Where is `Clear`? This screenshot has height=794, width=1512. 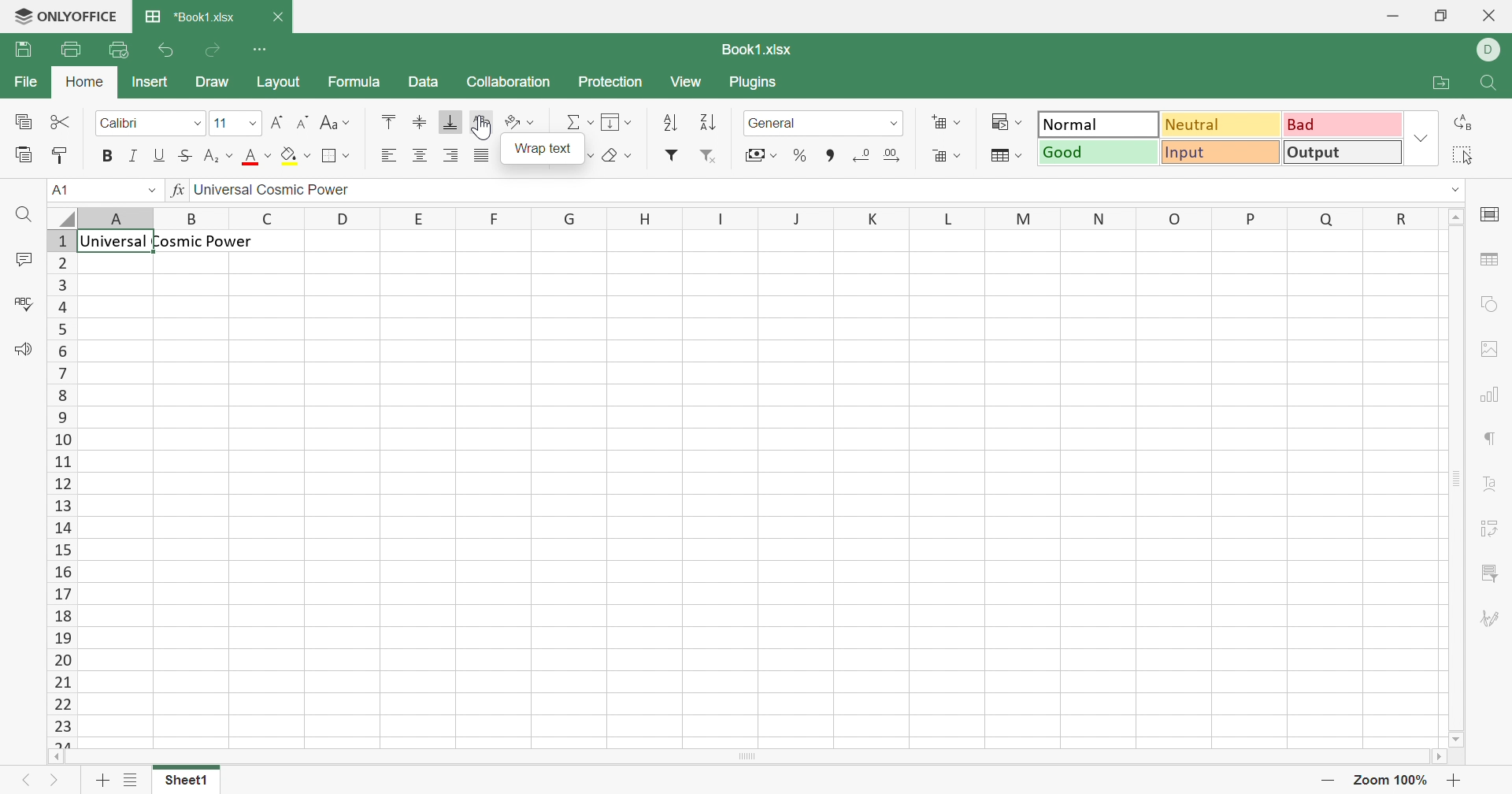
Clear is located at coordinates (616, 158).